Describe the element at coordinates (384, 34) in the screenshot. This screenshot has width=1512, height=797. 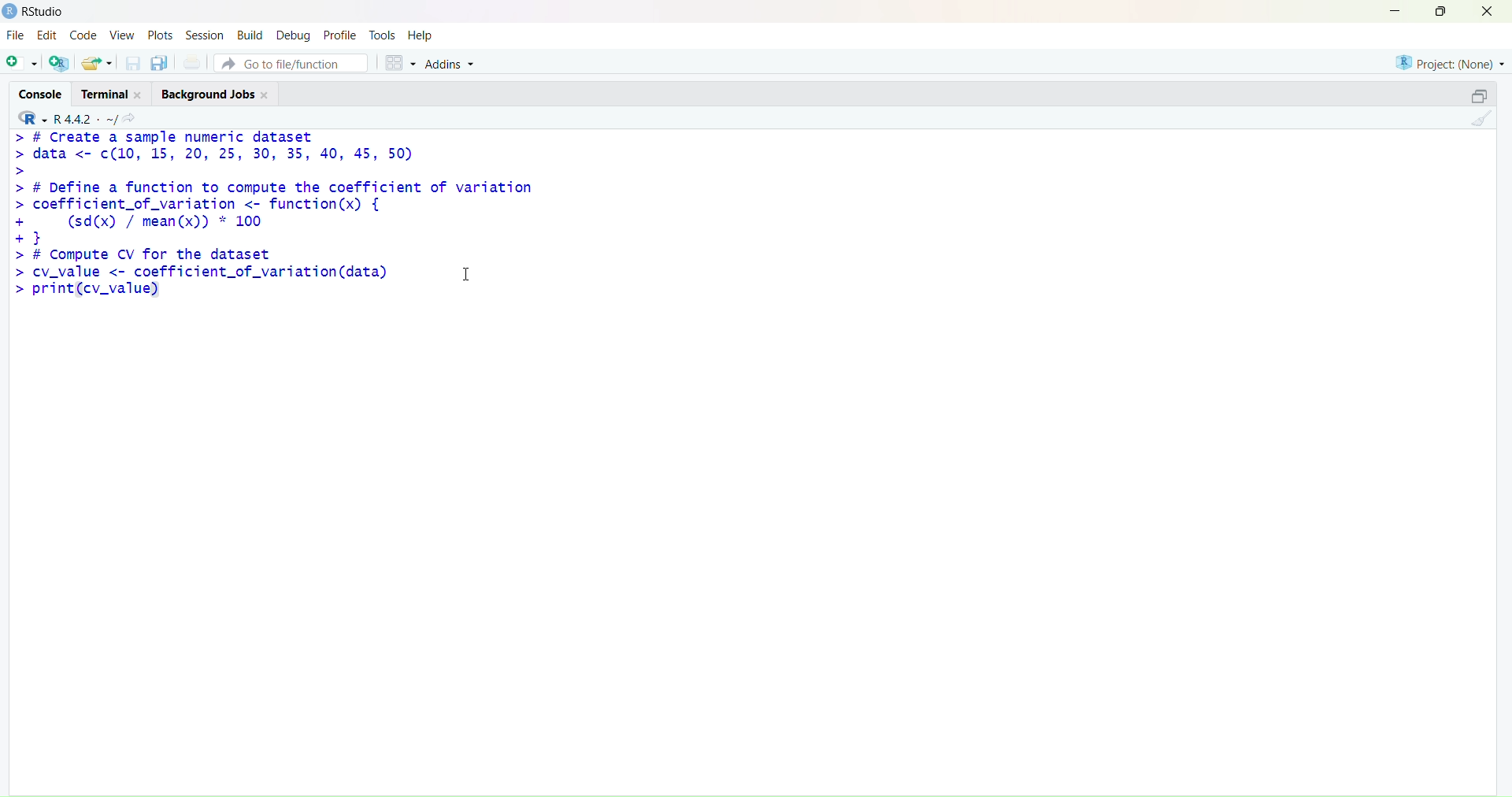
I see `tools` at that location.